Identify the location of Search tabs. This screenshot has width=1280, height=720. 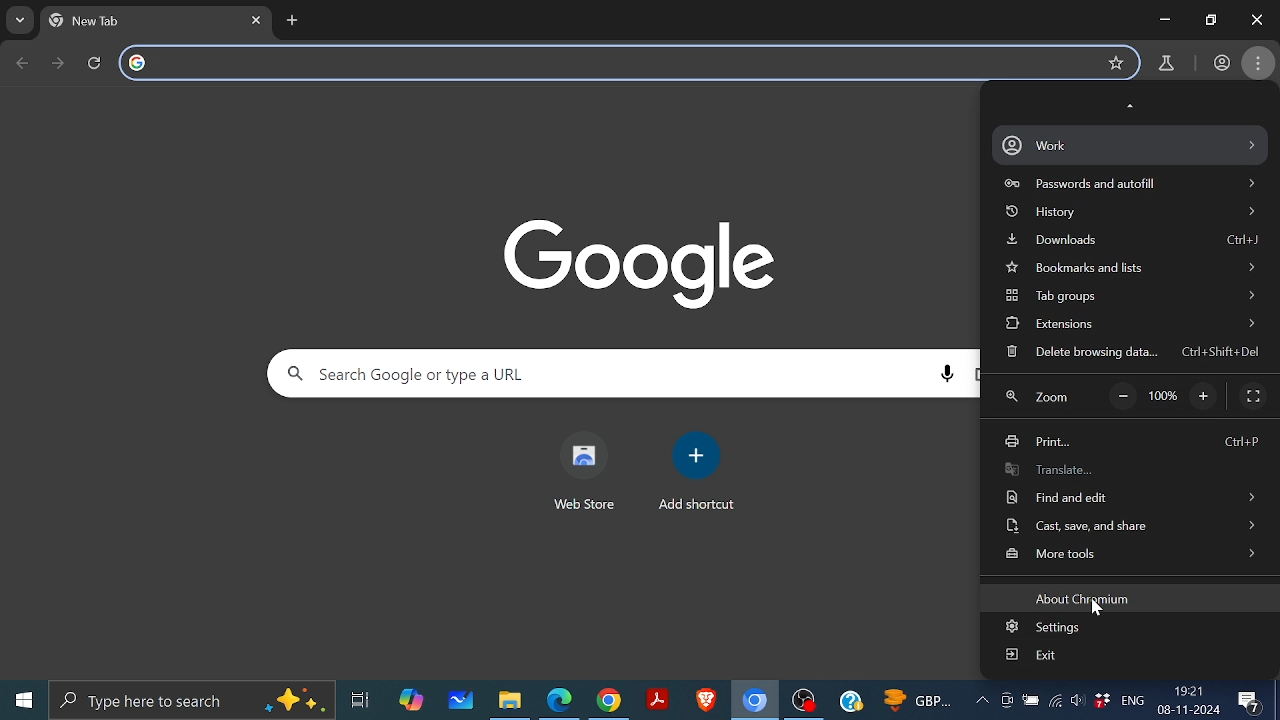
(20, 20).